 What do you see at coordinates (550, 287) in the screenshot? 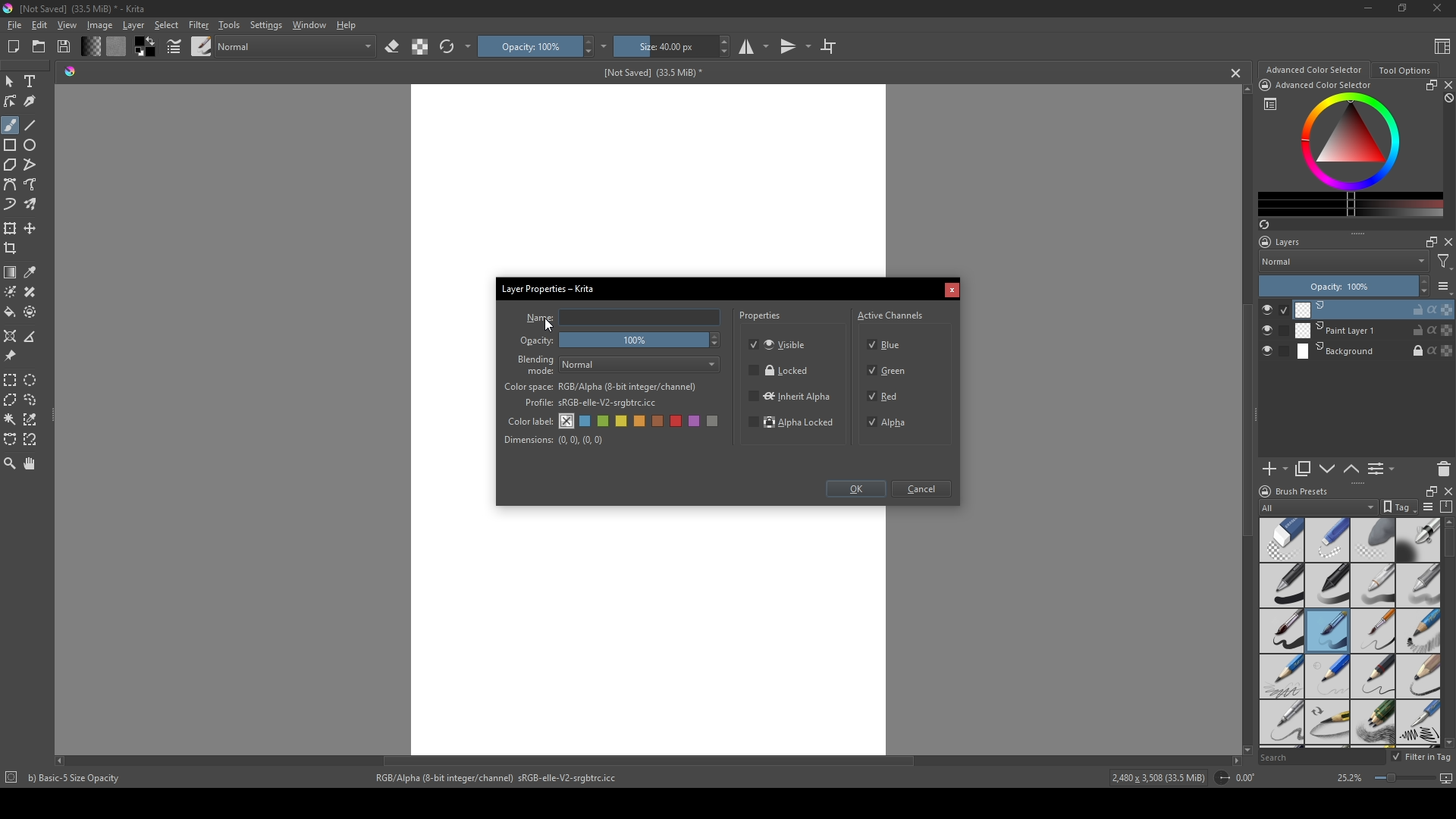
I see `Layer Properties - Krita` at bounding box center [550, 287].